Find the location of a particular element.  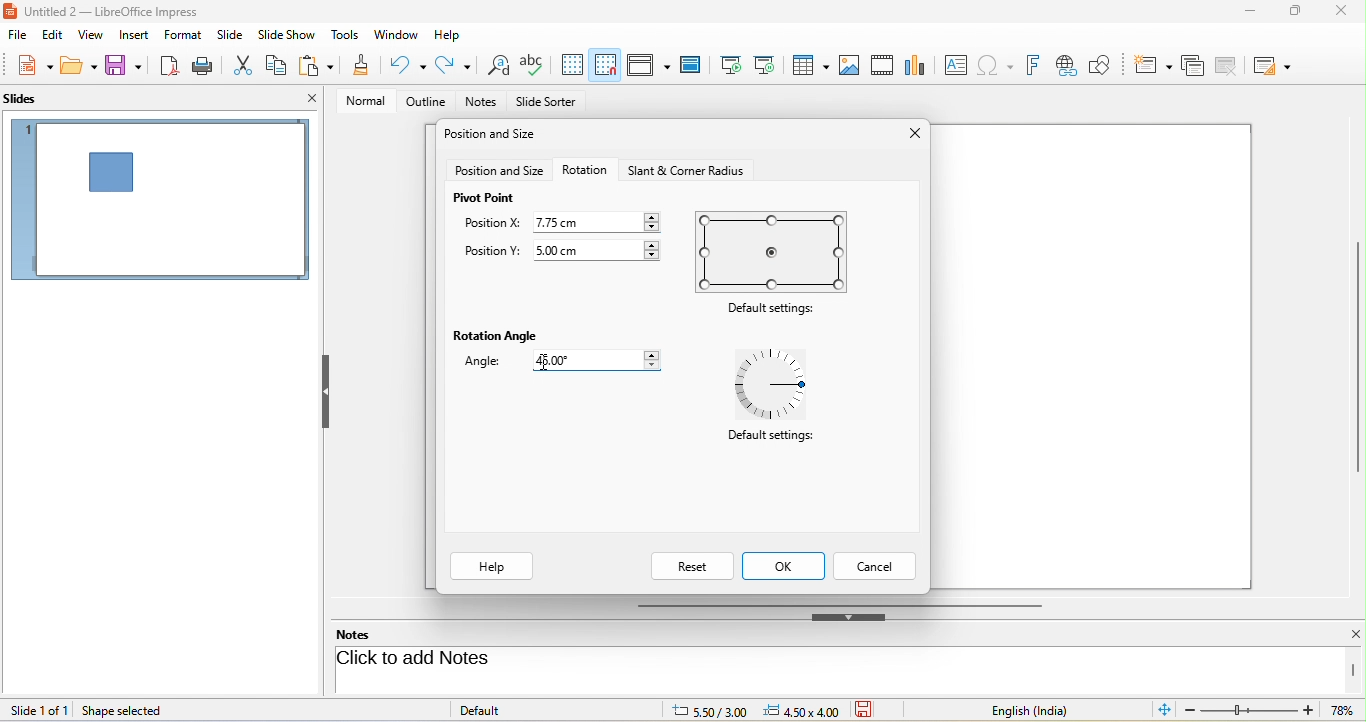

text box is located at coordinates (953, 65).